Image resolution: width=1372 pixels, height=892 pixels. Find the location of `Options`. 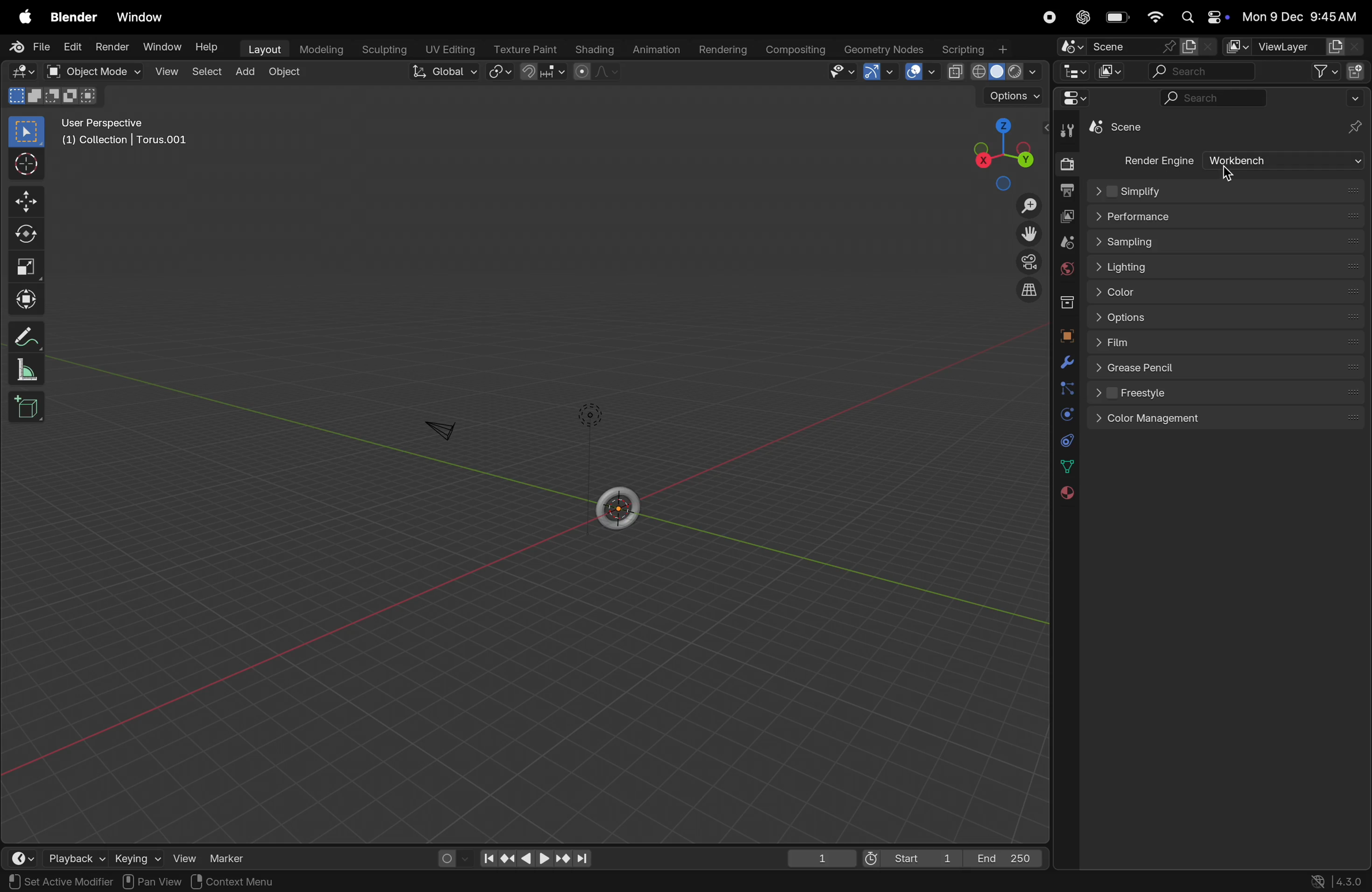

Options is located at coordinates (1009, 96).